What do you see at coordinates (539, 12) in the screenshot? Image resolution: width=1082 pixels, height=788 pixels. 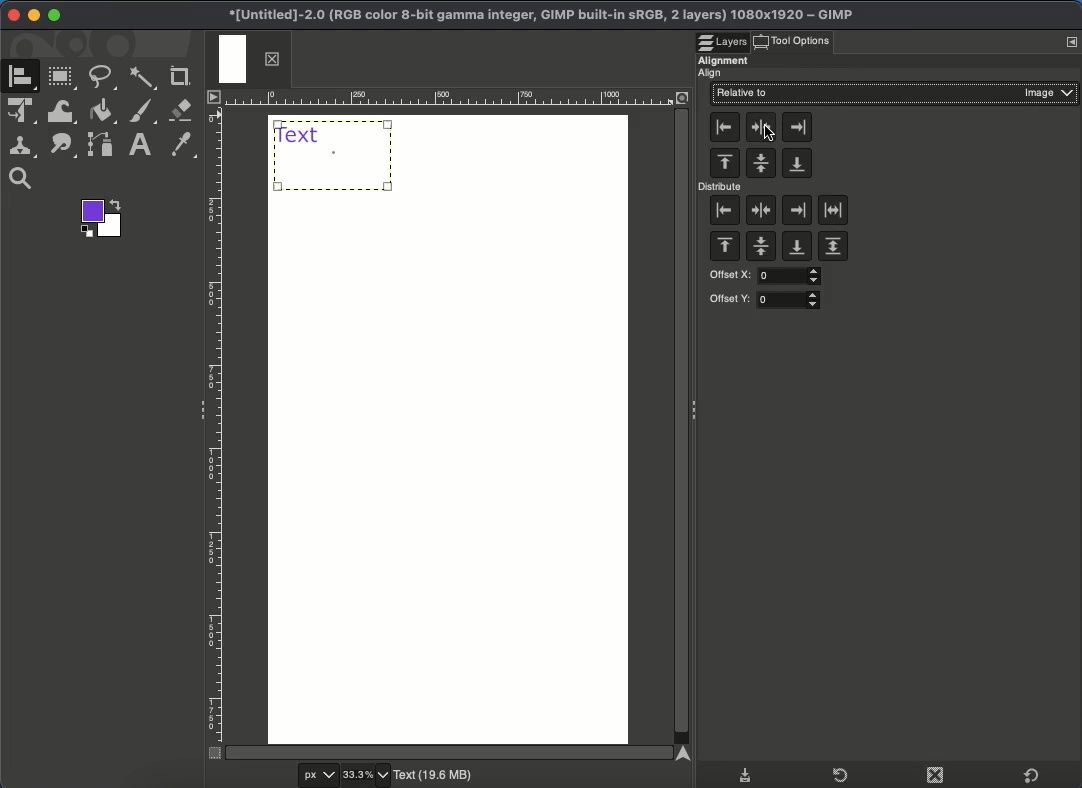 I see `Project name` at bounding box center [539, 12].